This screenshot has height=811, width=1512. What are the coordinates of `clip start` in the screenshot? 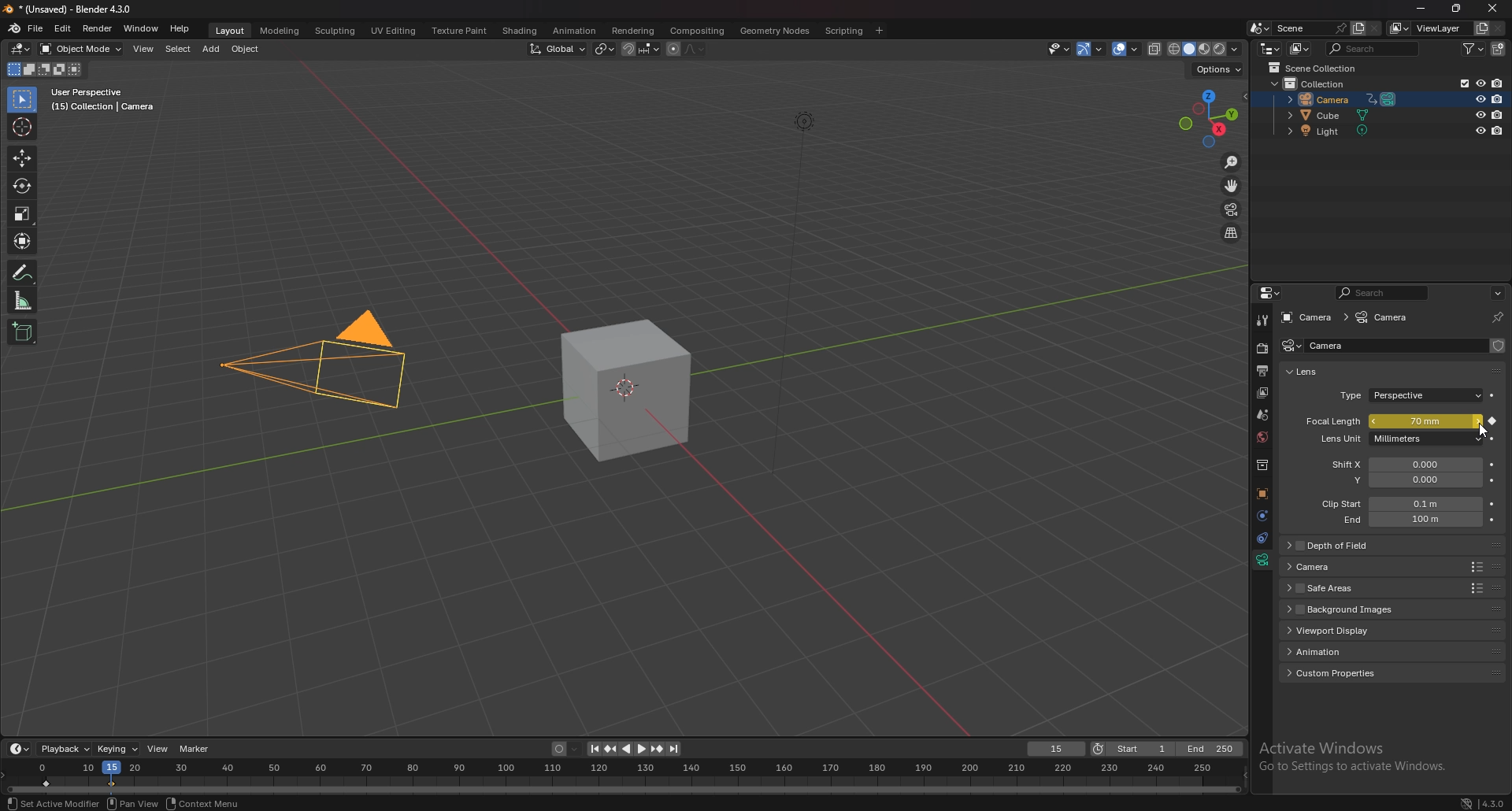 It's located at (1397, 503).